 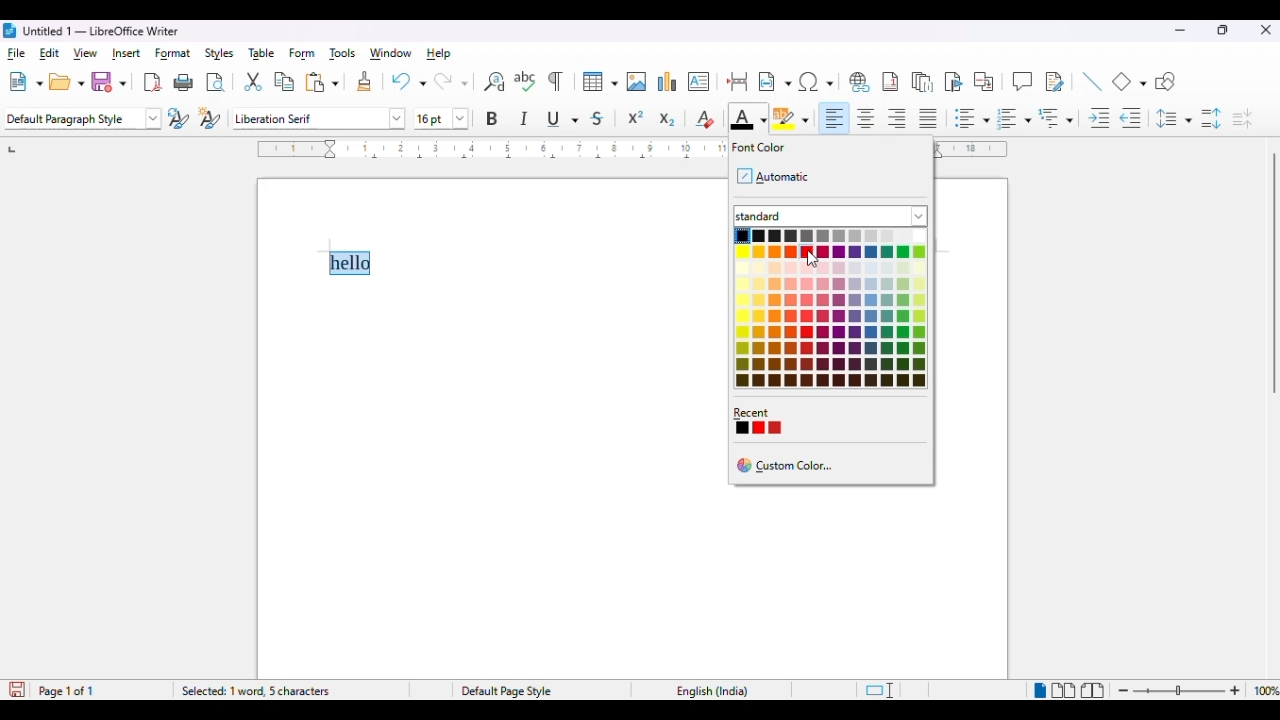 I want to click on select outline format, so click(x=1056, y=118).